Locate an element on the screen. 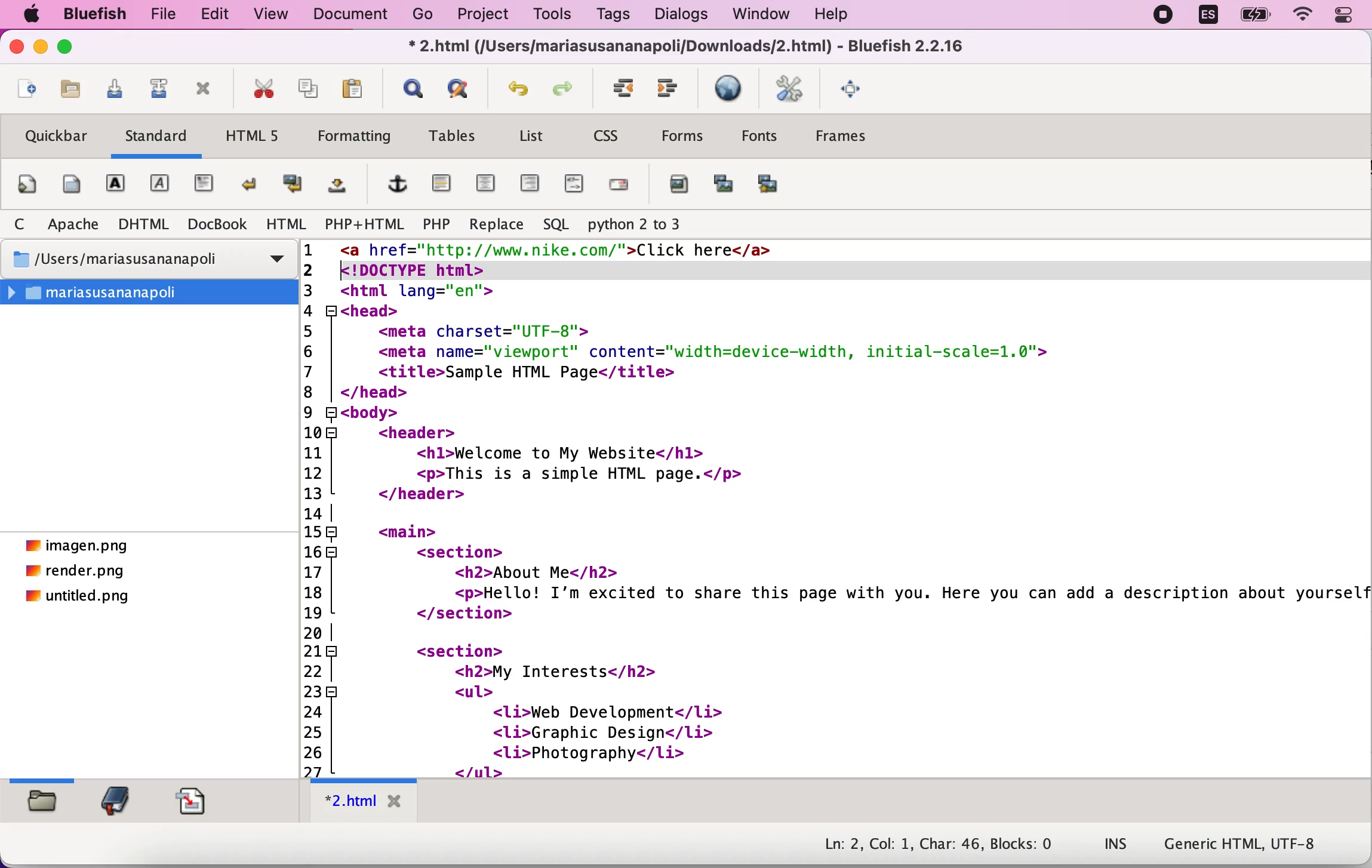 The image size is (1372, 868). cut is located at coordinates (260, 87).